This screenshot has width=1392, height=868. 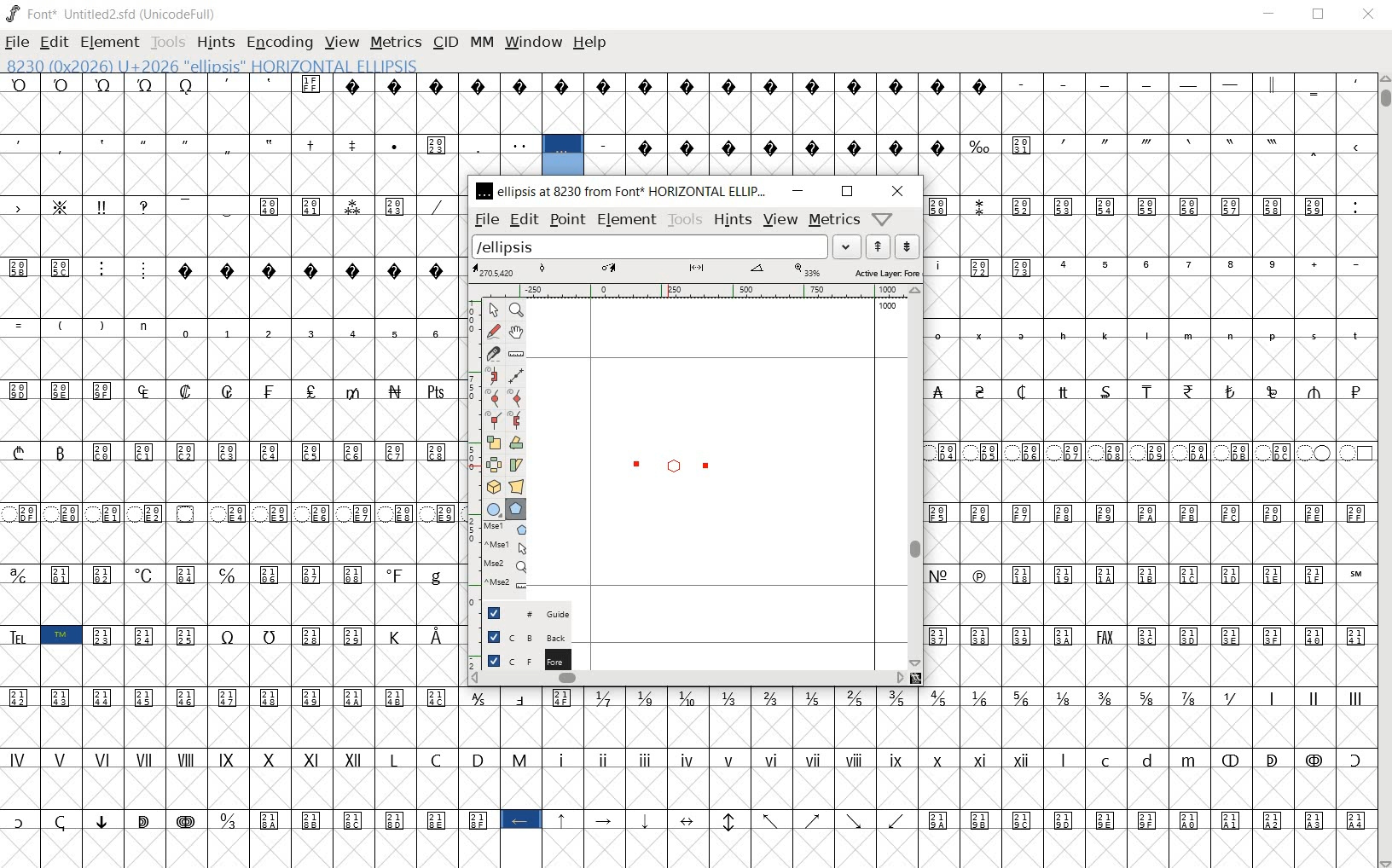 What do you see at coordinates (492, 420) in the screenshot?
I see `Add a corner point` at bounding box center [492, 420].